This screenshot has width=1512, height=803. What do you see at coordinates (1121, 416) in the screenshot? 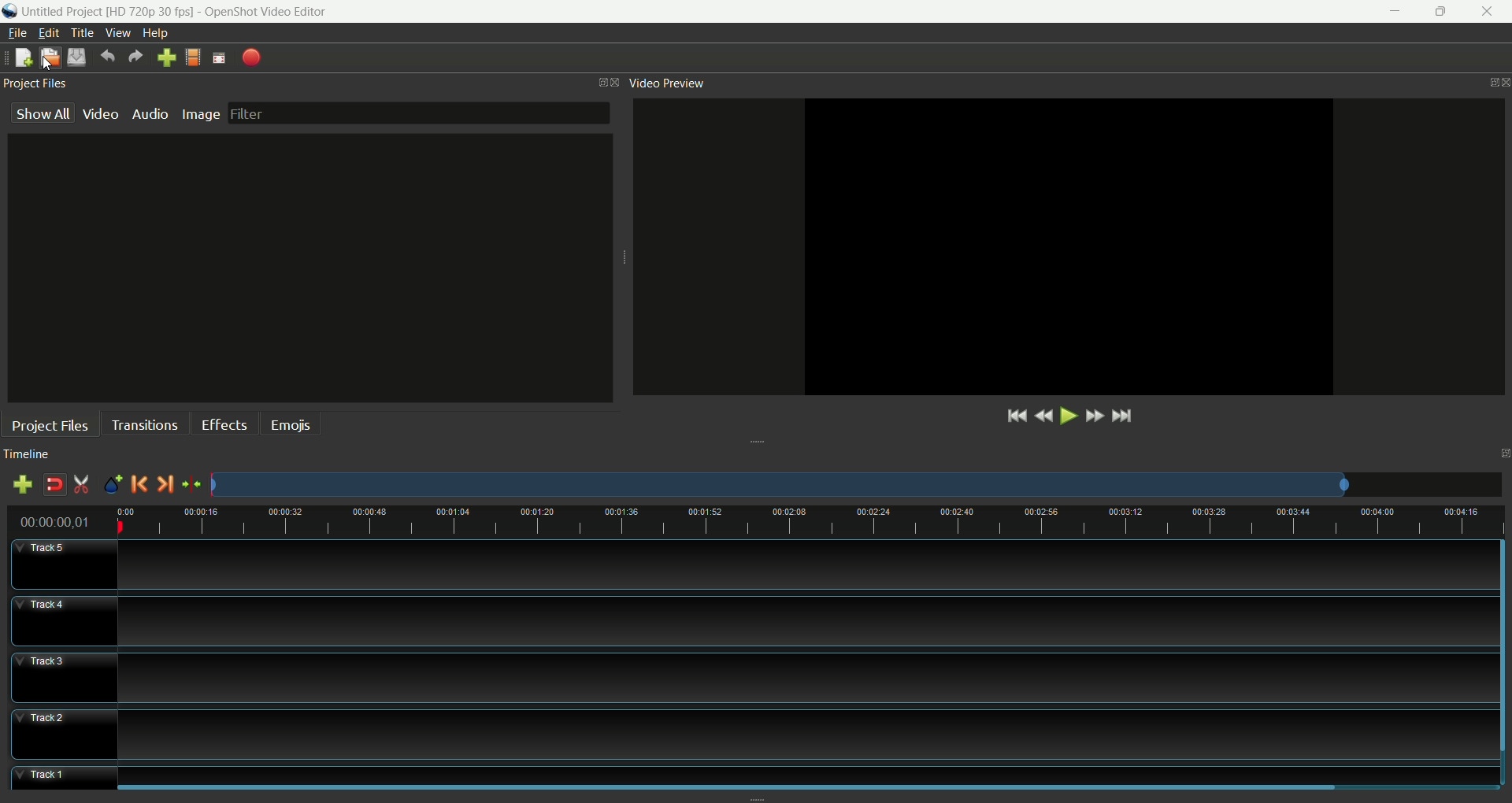
I see `jump to end` at bounding box center [1121, 416].